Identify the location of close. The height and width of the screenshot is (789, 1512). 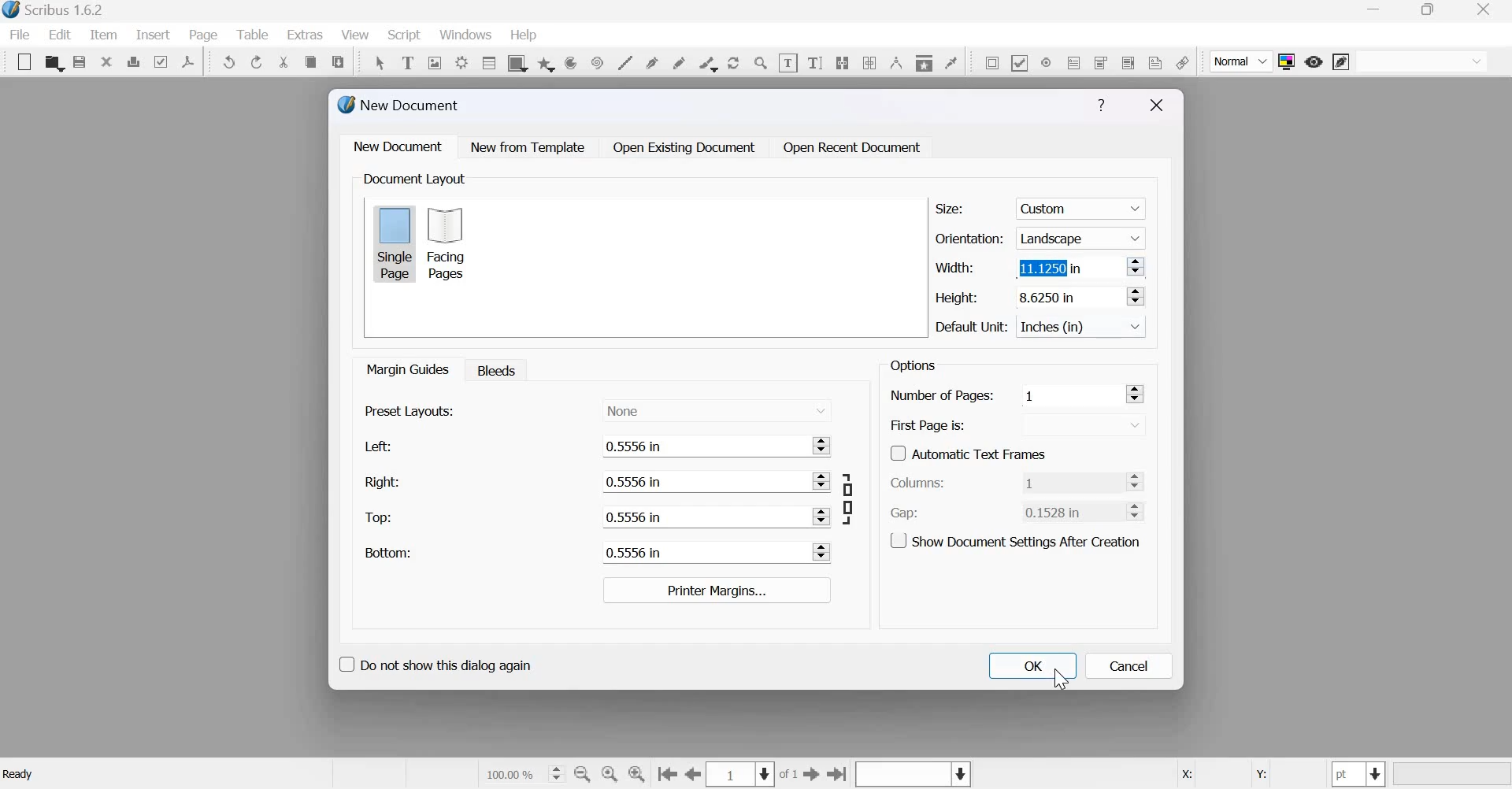
(106, 61).